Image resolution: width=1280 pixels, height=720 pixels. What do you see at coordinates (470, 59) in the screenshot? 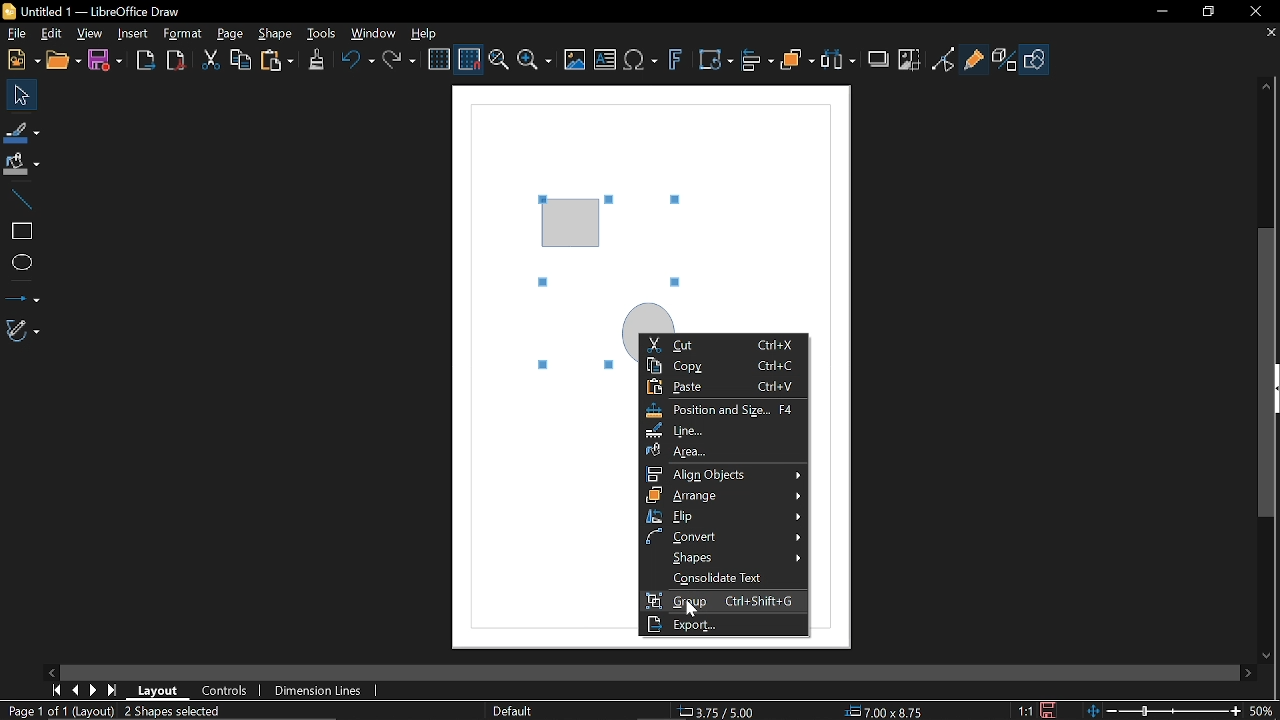
I see `Snap to grid` at bounding box center [470, 59].